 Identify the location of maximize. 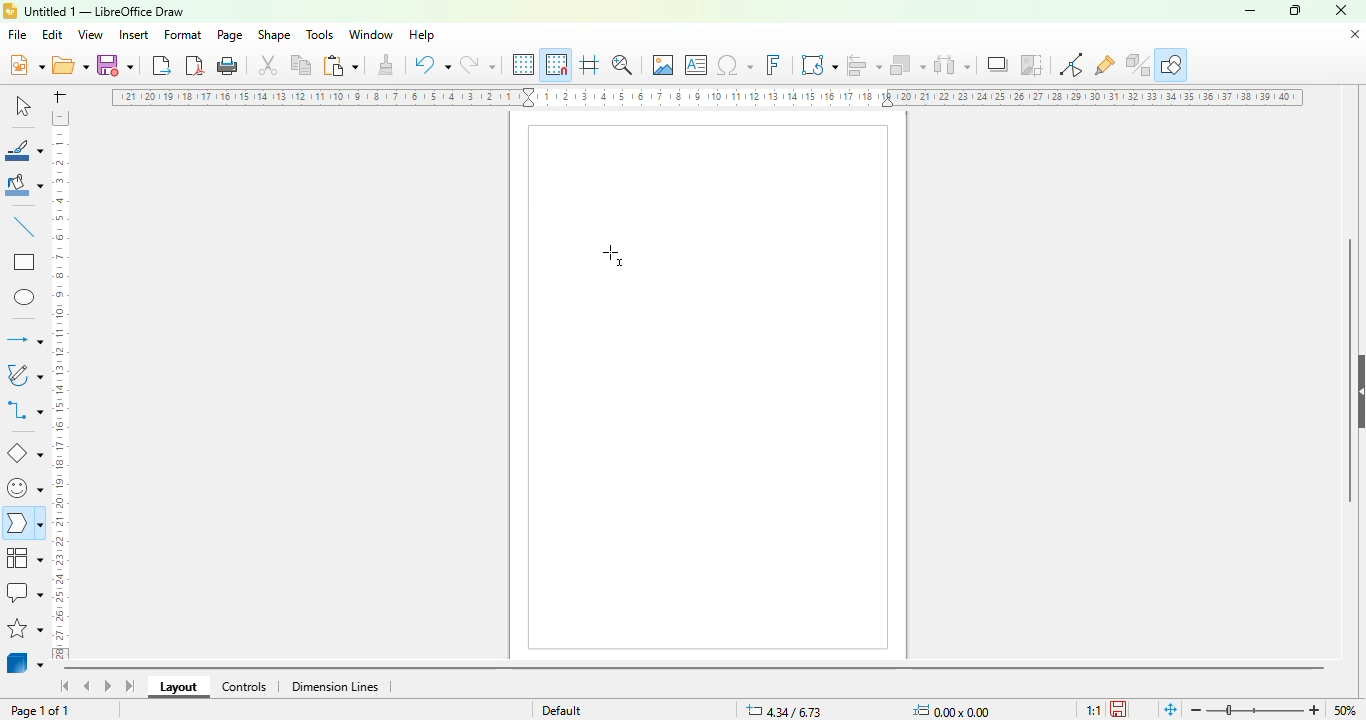
(1295, 10).